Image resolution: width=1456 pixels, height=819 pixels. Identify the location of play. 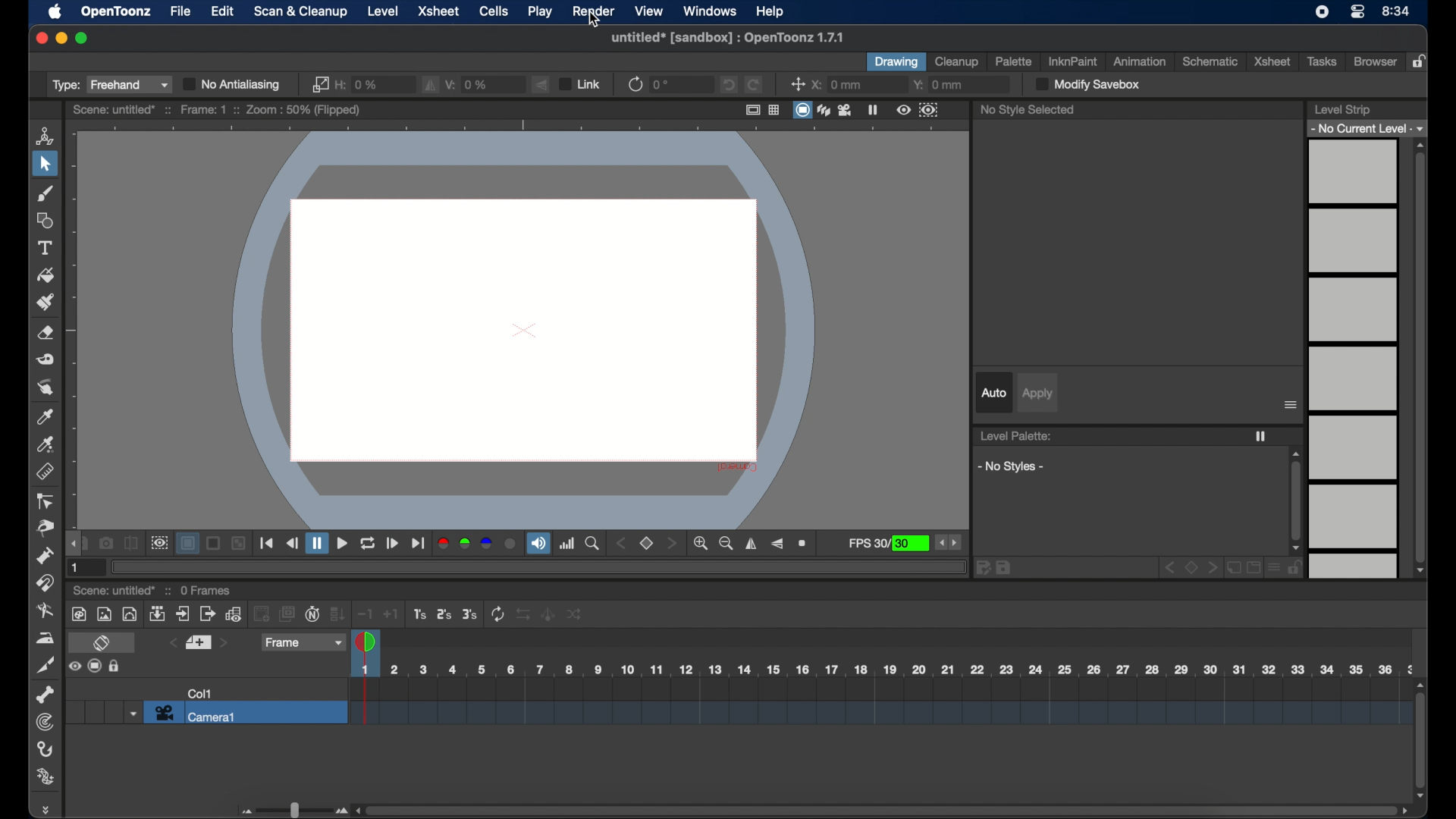
(541, 12).